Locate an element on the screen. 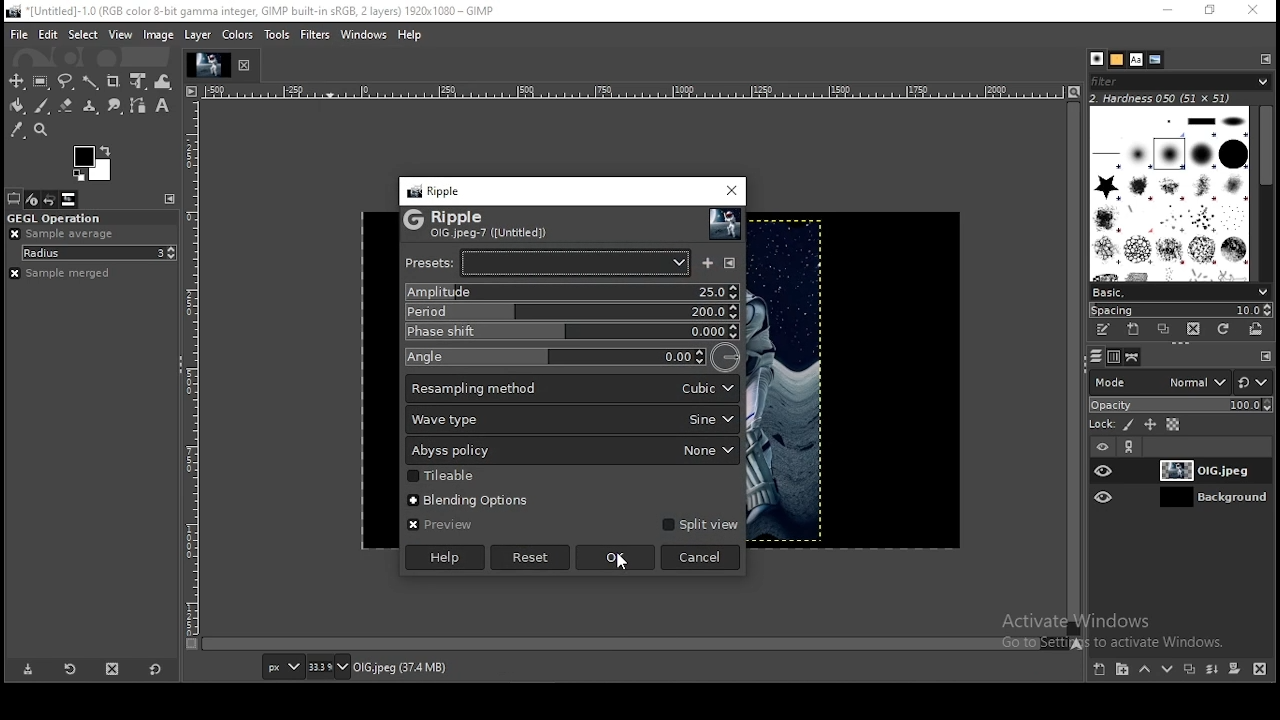  open brush as image is located at coordinates (1257, 330).